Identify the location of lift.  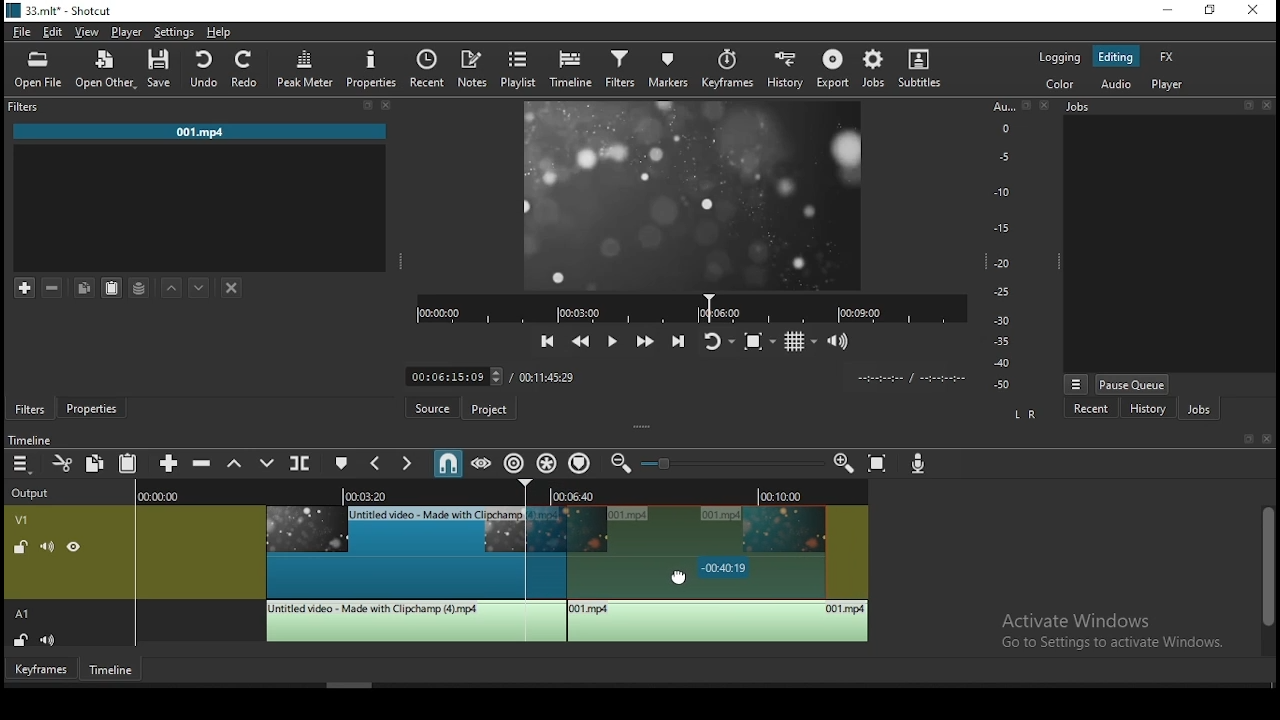
(235, 464).